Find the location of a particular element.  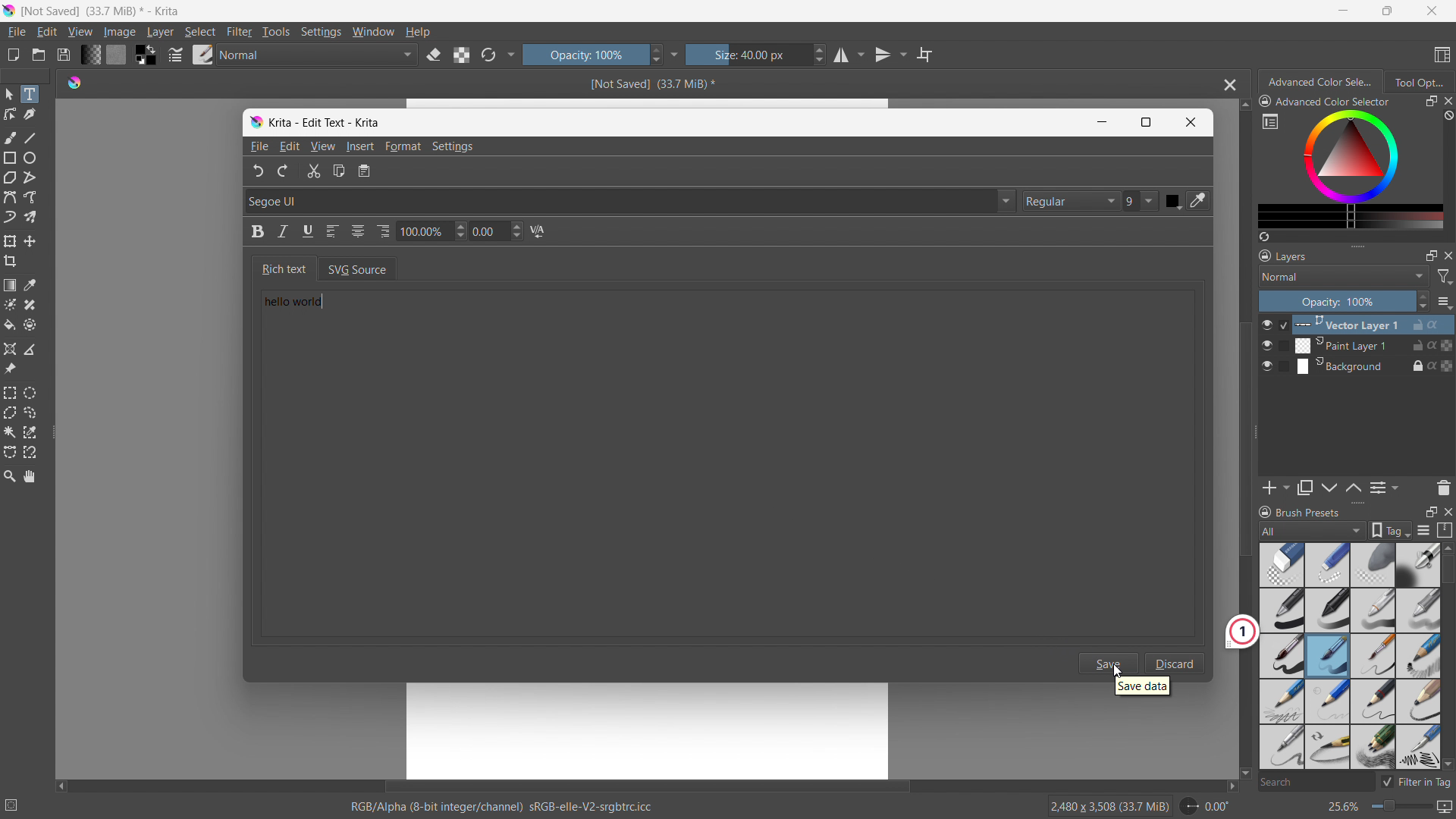

minimize is located at coordinates (1344, 10).